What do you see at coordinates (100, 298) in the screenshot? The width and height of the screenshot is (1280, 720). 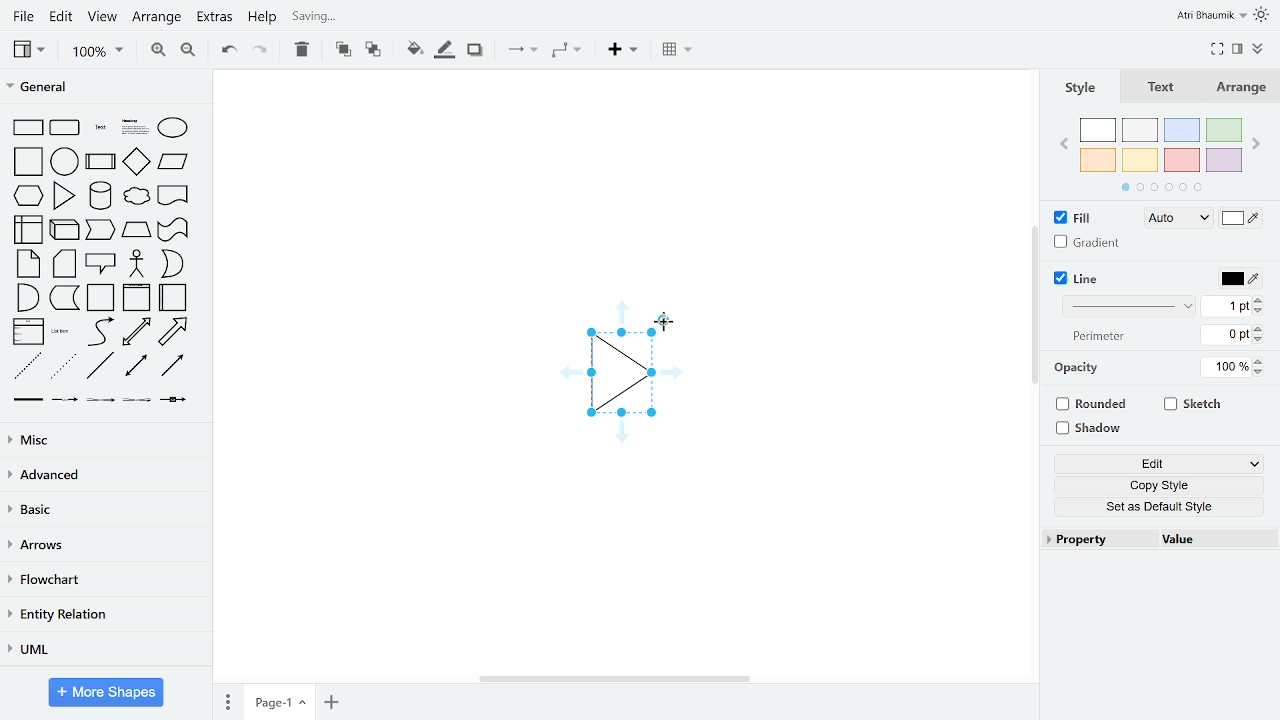 I see `container` at bounding box center [100, 298].